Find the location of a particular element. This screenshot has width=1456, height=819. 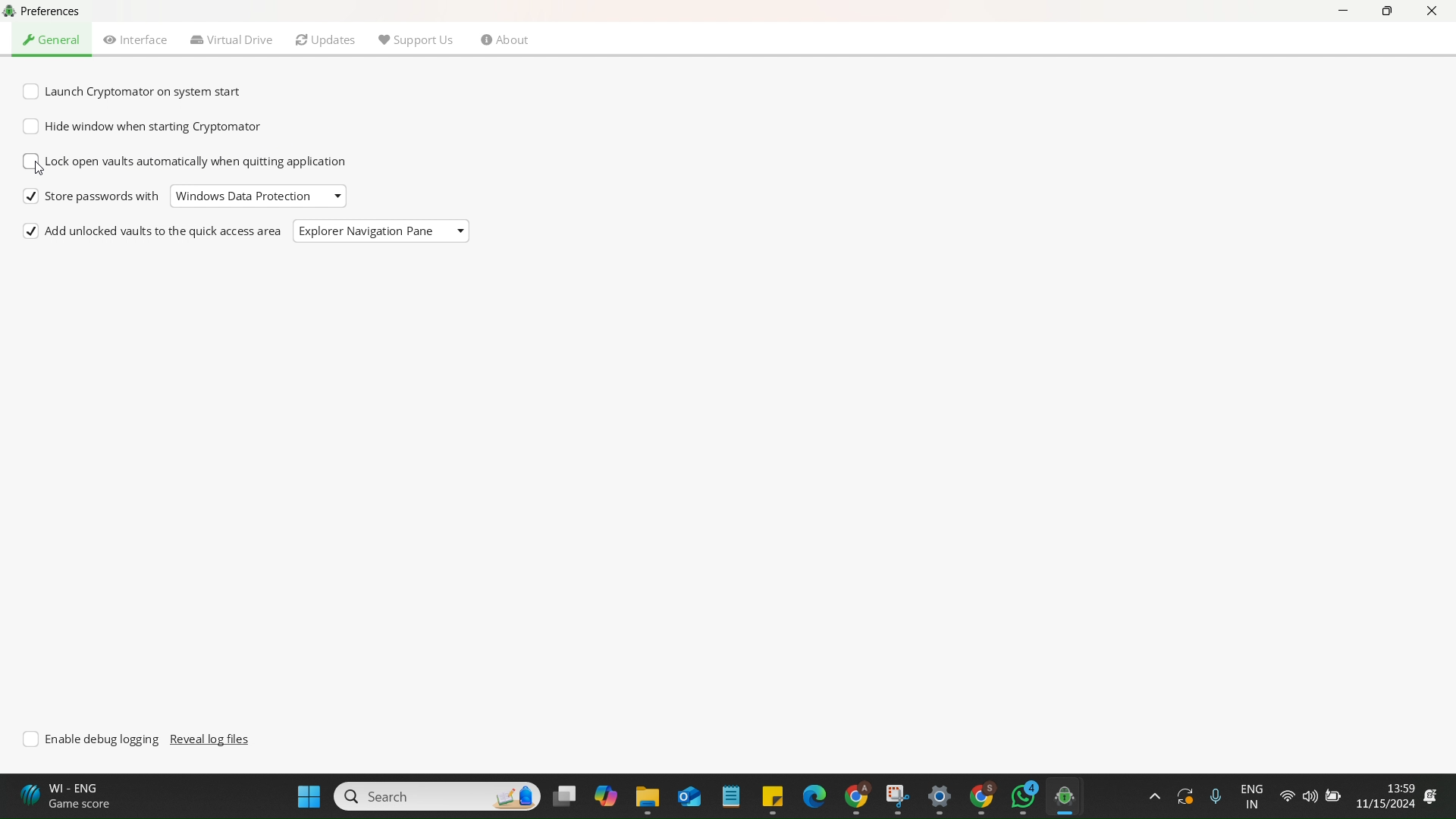

Automatically Lock Unlock Vault is located at coordinates (187, 163).